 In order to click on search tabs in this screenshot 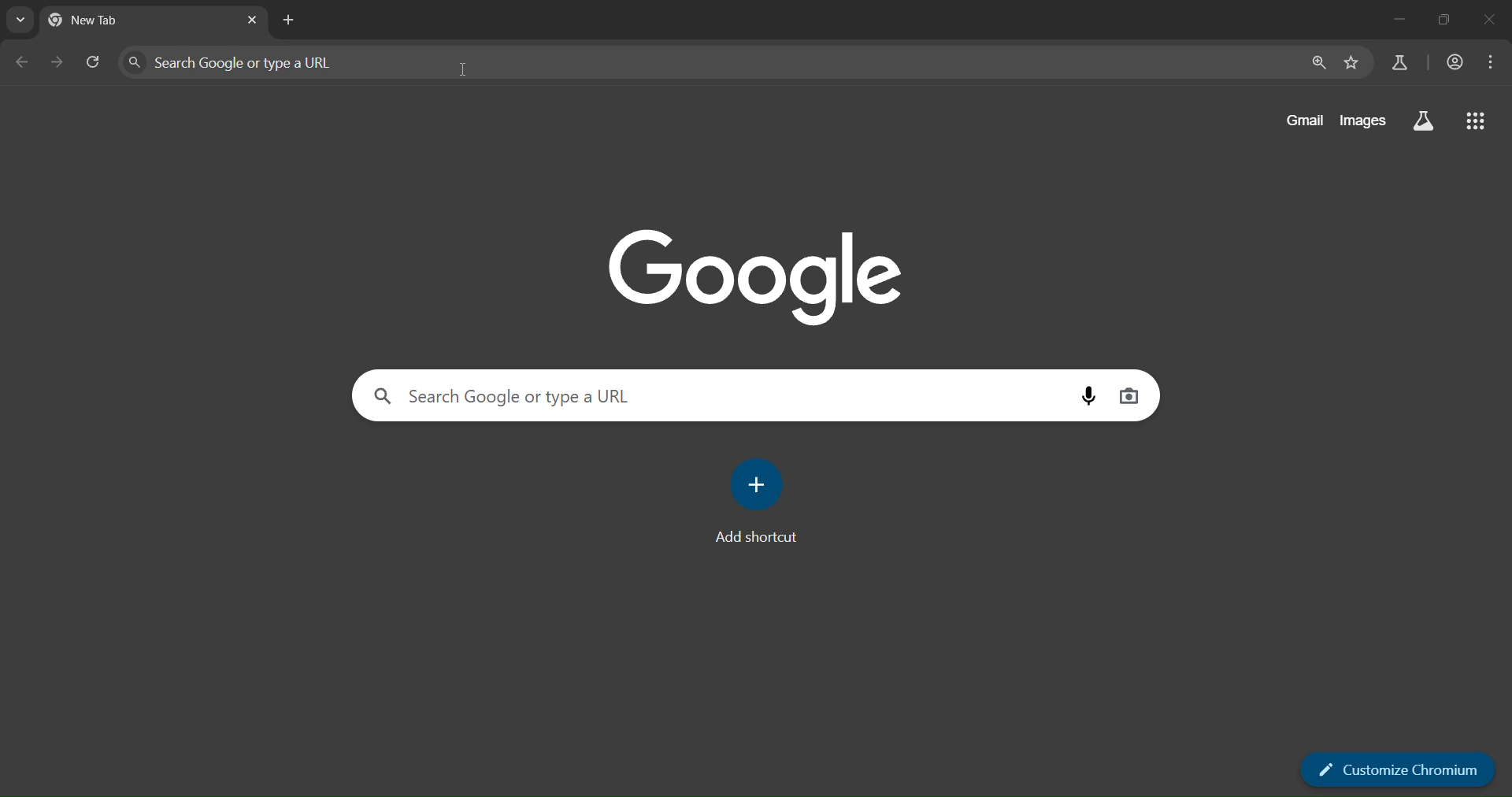, I will do `click(20, 20)`.